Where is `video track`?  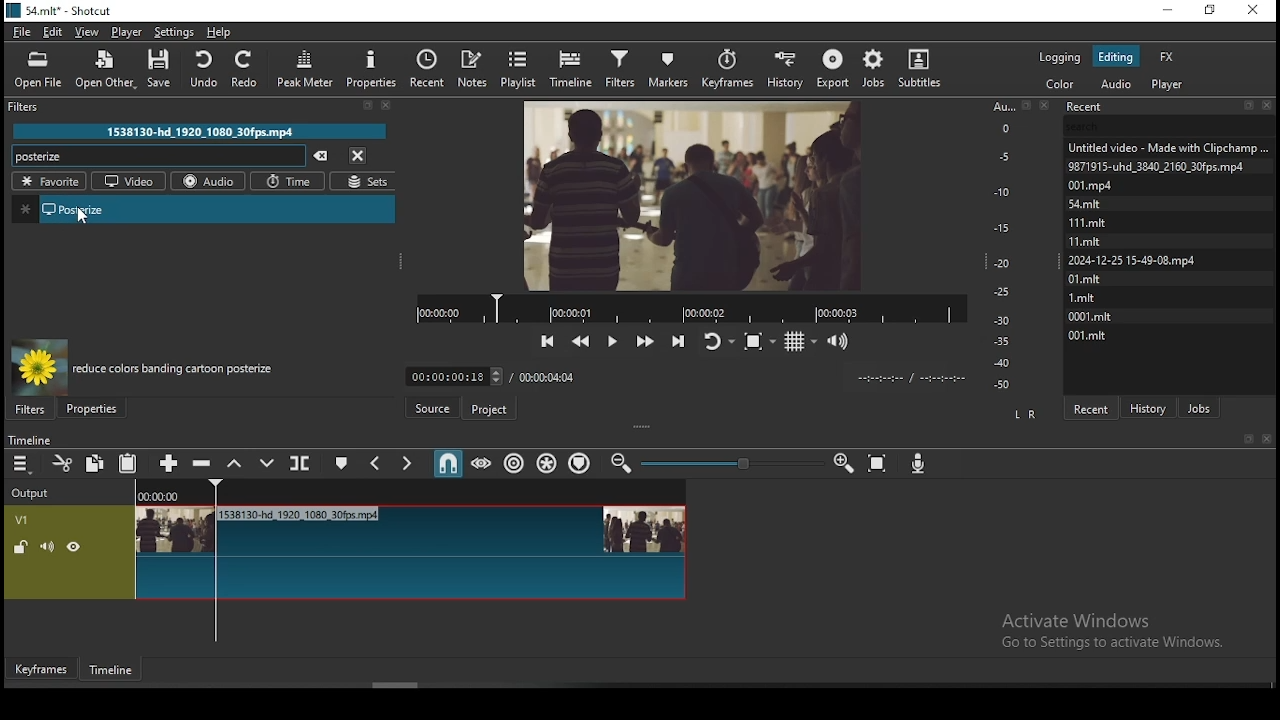
video track is located at coordinates (347, 550).